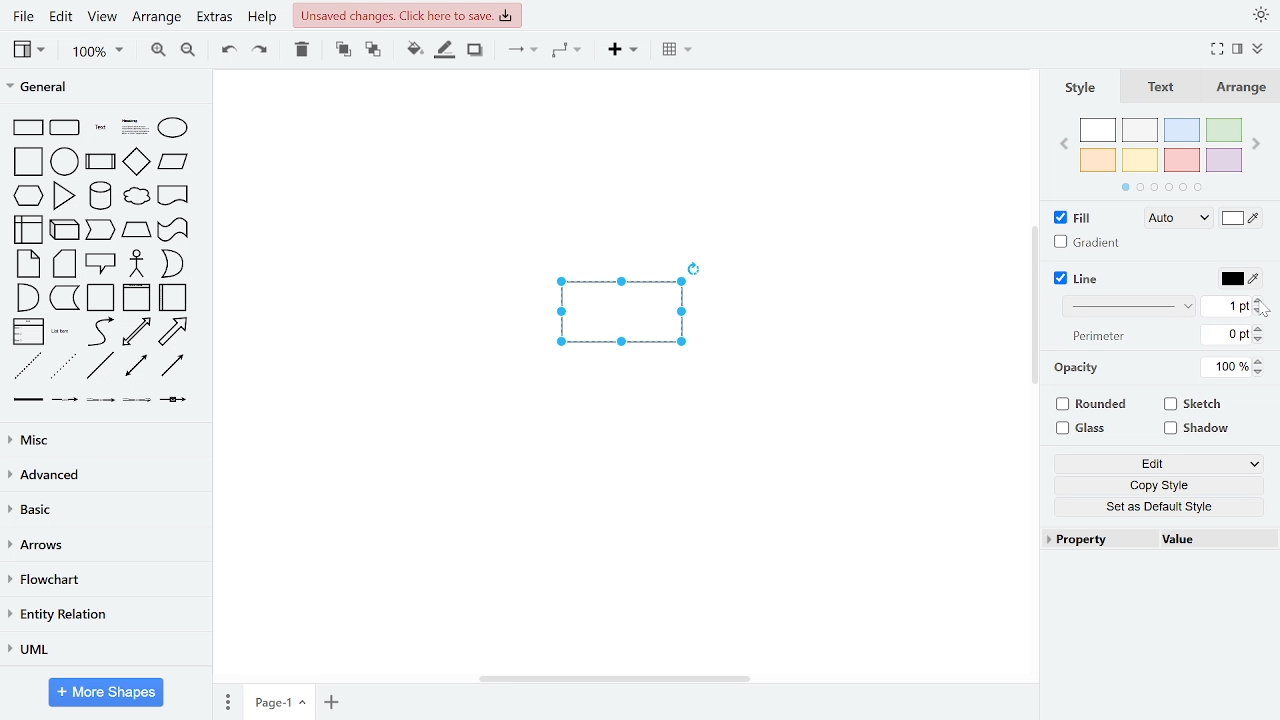 The image size is (1280, 720). What do you see at coordinates (522, 52) in the screenshot?
I see `connection` at bounding box center [522, 52].